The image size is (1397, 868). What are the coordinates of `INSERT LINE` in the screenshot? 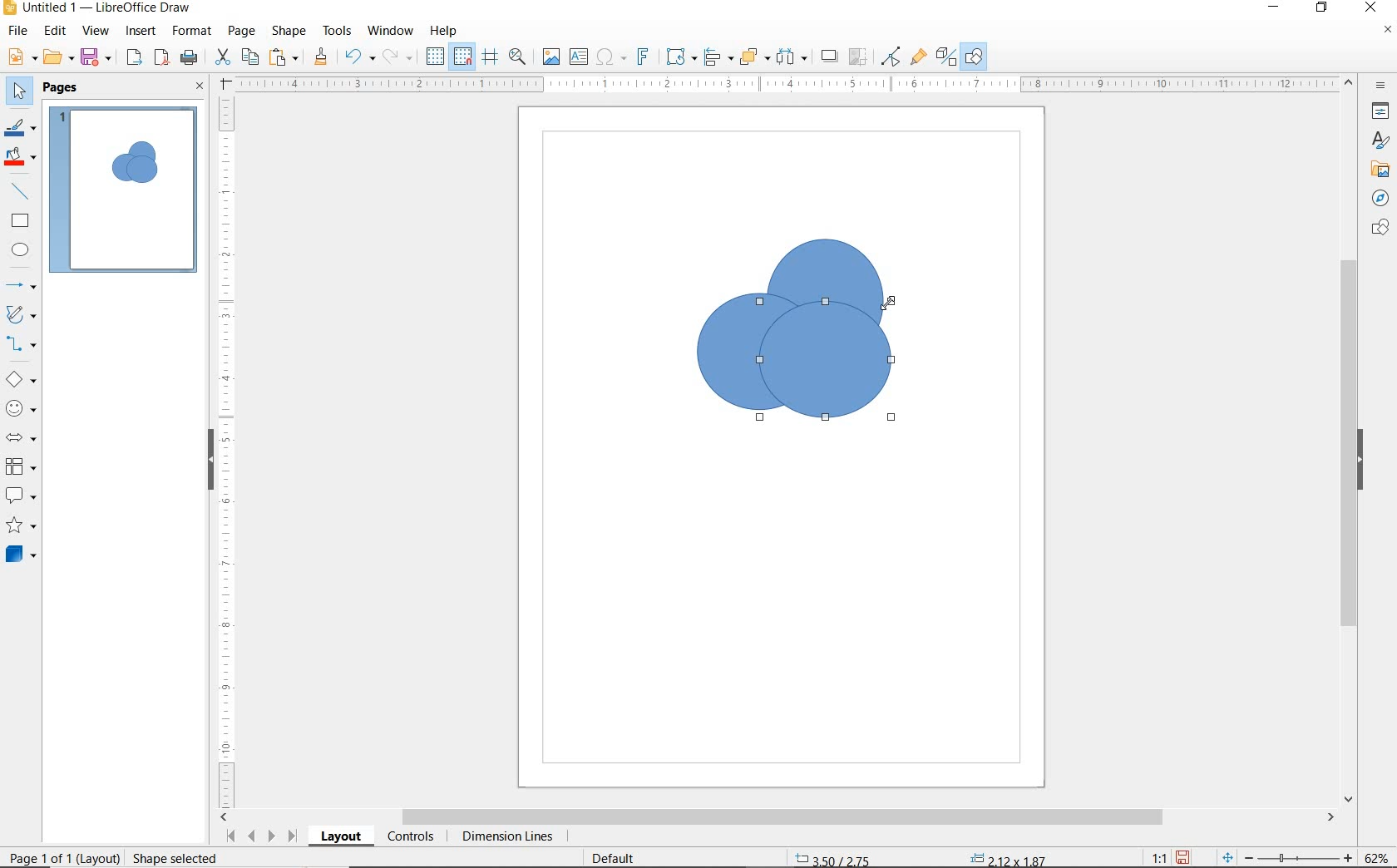 It's located at (22, 191).